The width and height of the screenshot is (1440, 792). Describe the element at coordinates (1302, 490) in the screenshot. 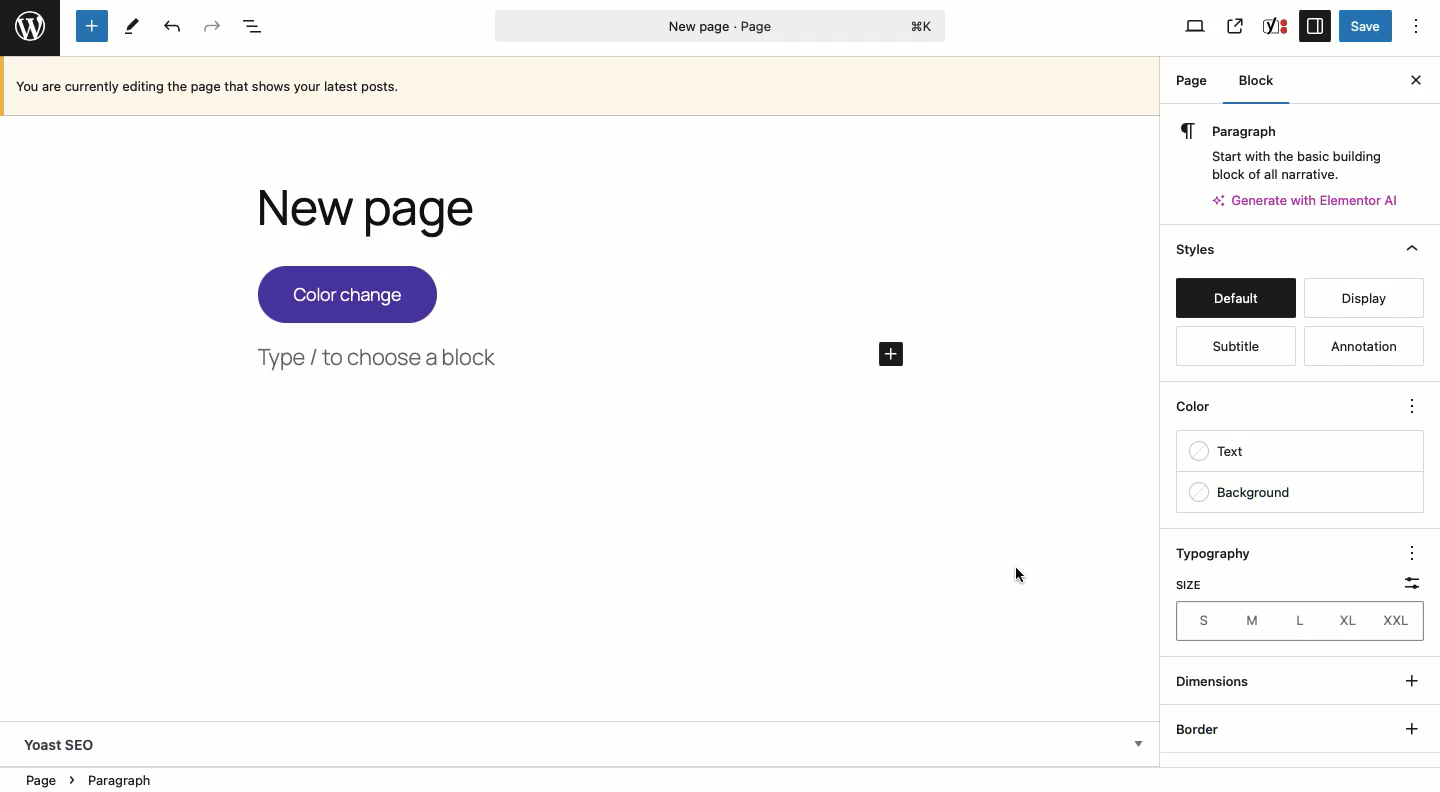

I see `Background` at that location.